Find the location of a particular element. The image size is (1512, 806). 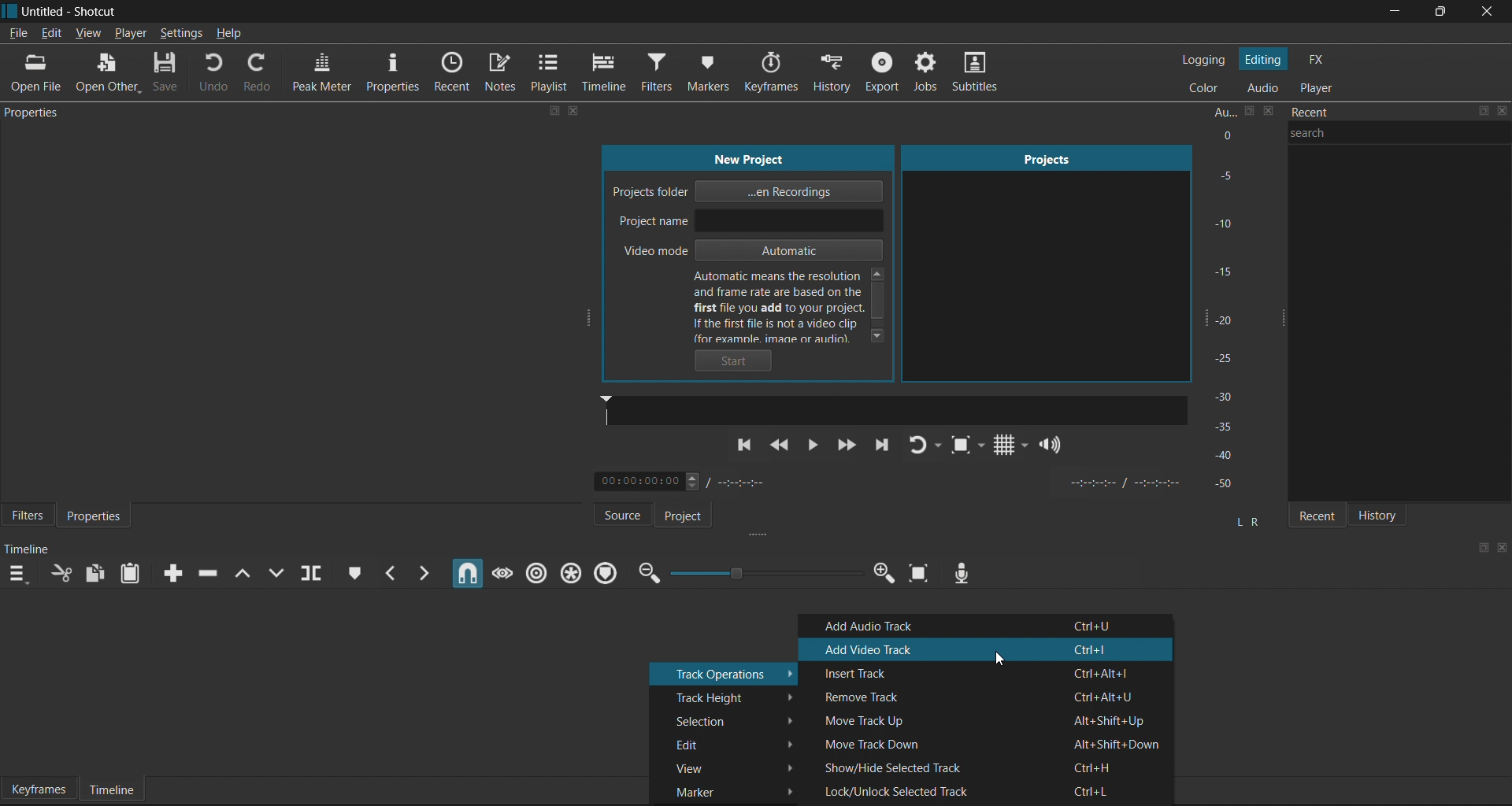

Keyframes is located at coordinates (38, 788).